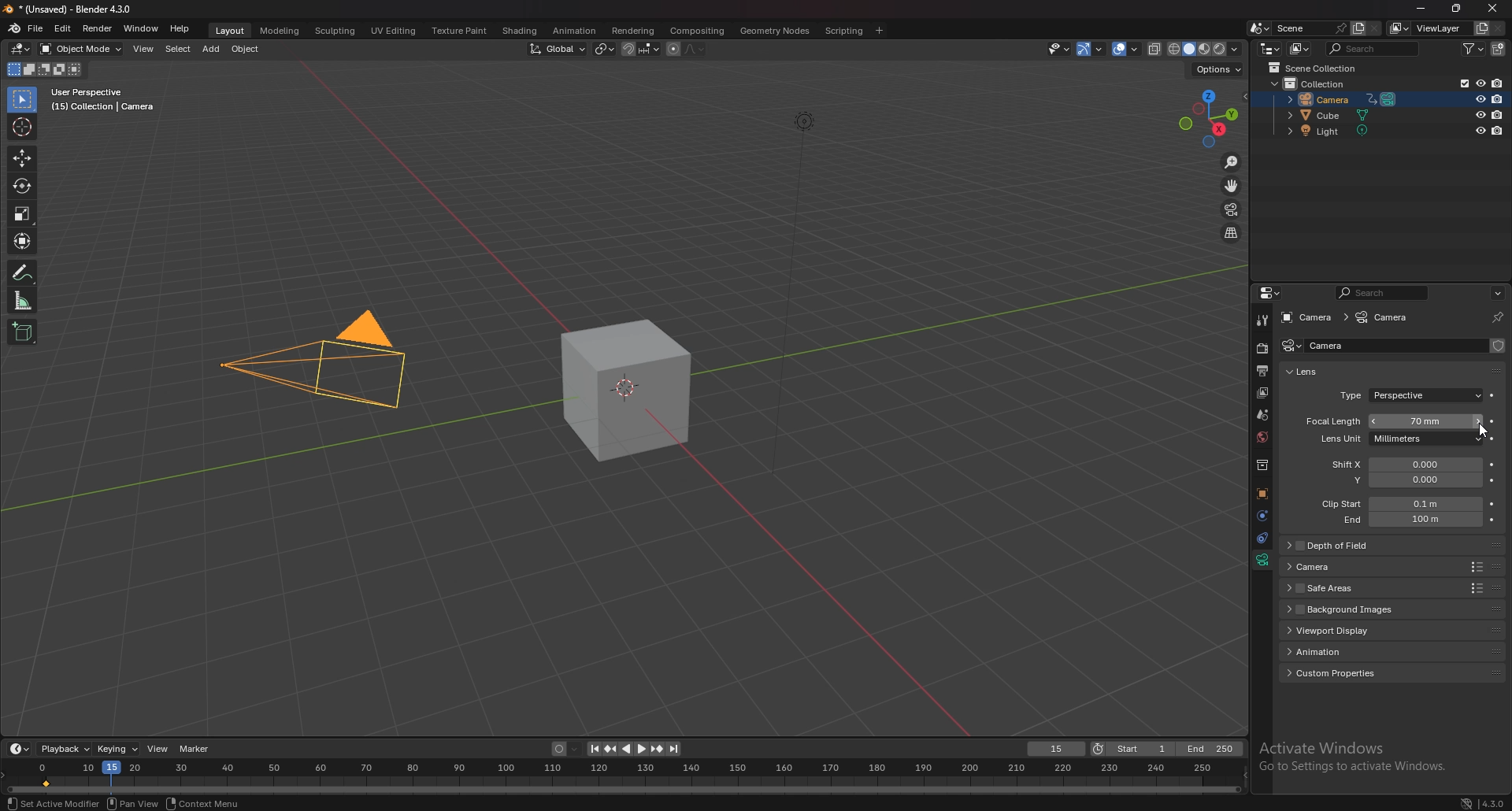 This screenshot has height=811, width=1512. I want to click on render, so click(97, 28).